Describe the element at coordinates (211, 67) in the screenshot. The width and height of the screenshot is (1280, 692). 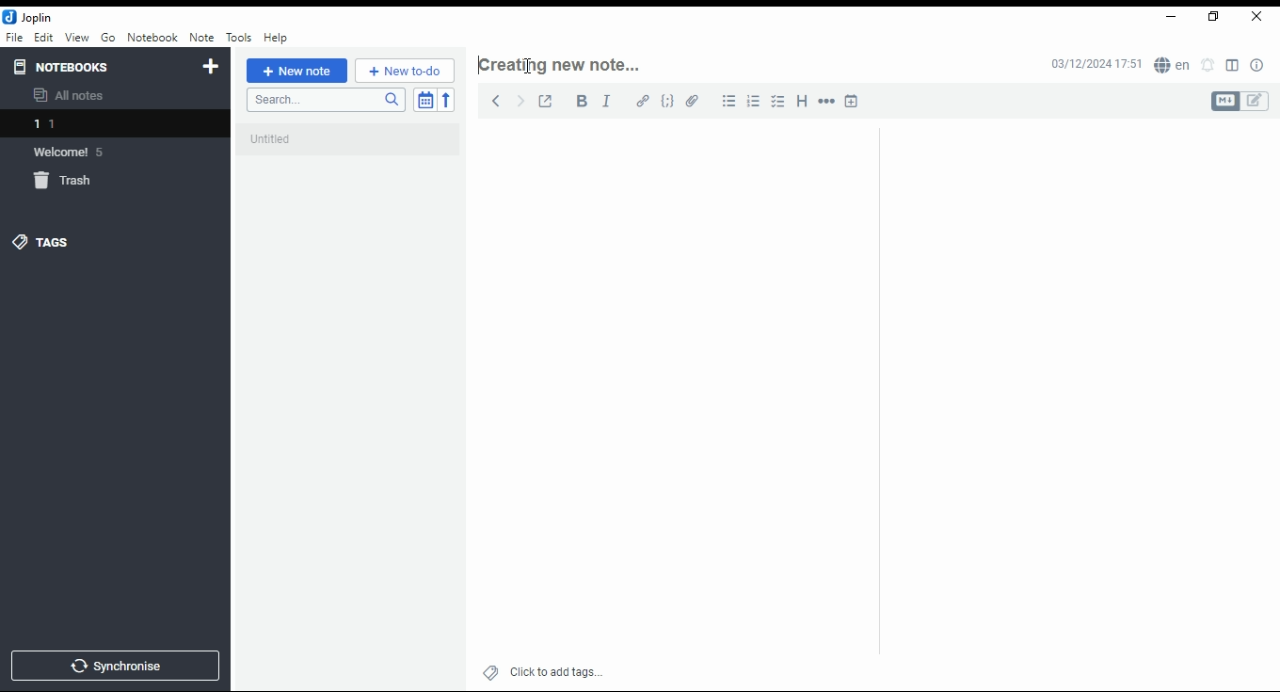
I see `new notebook` at that location.